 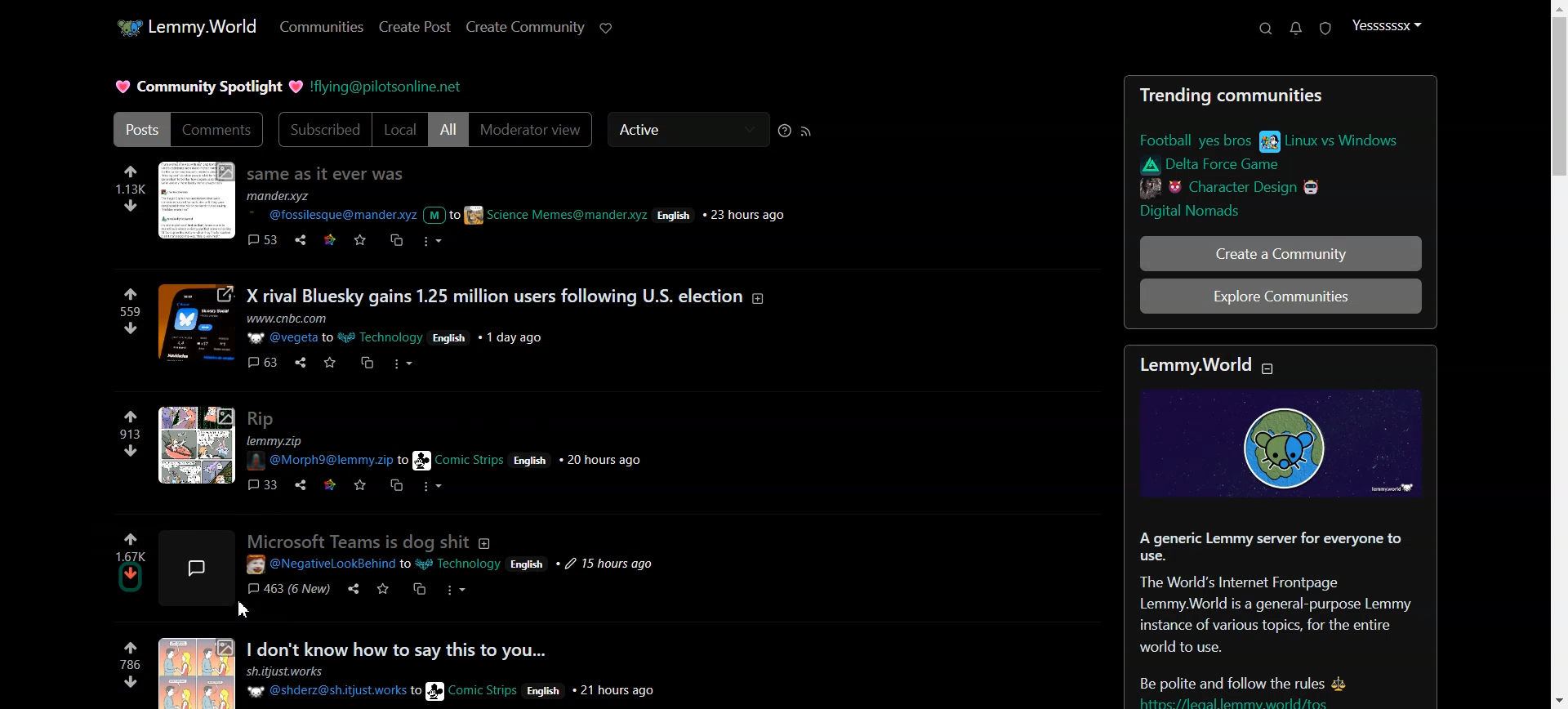 I want to click on Hyperlink, so click(x=389, y=88).